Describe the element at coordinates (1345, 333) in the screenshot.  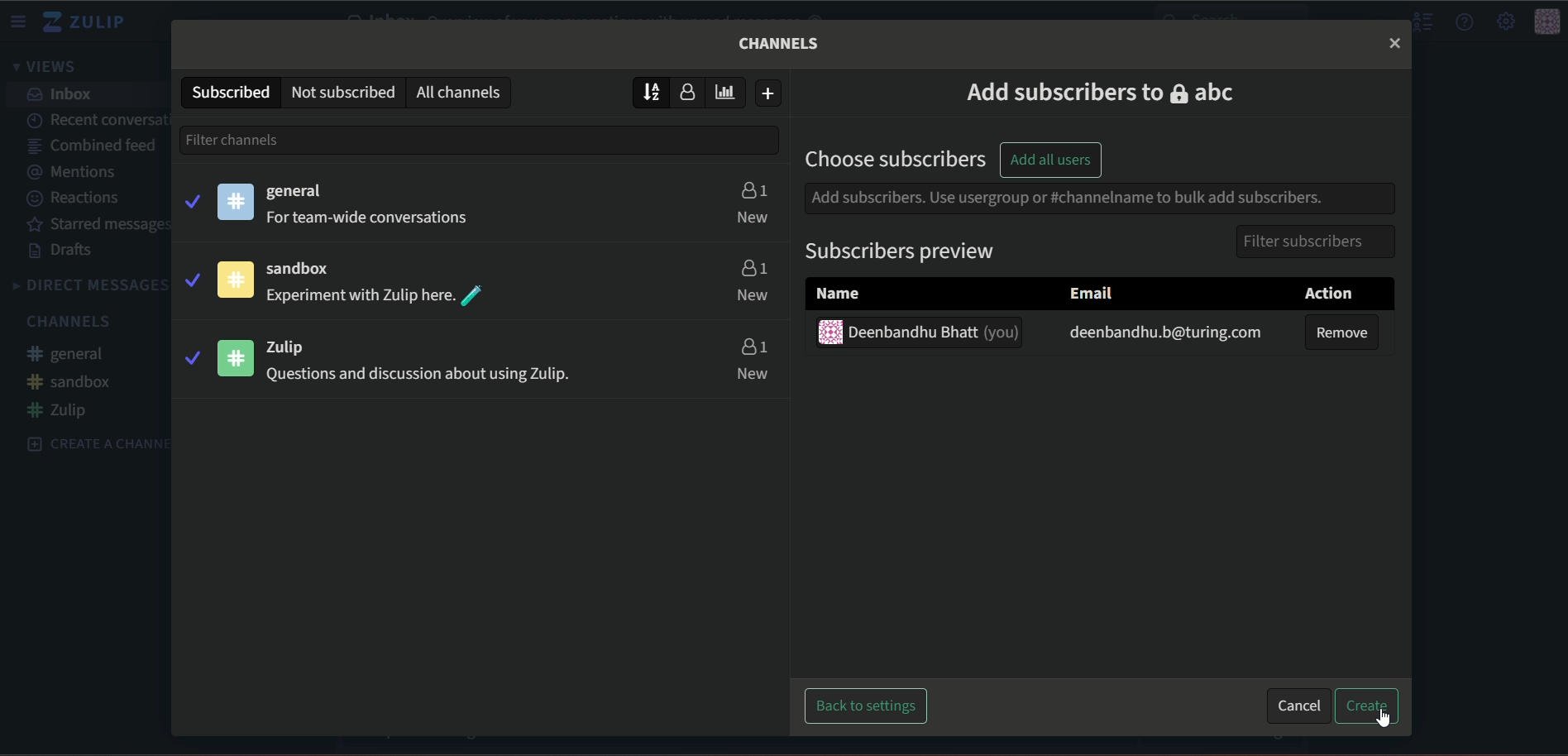
I see `remove` at that location.